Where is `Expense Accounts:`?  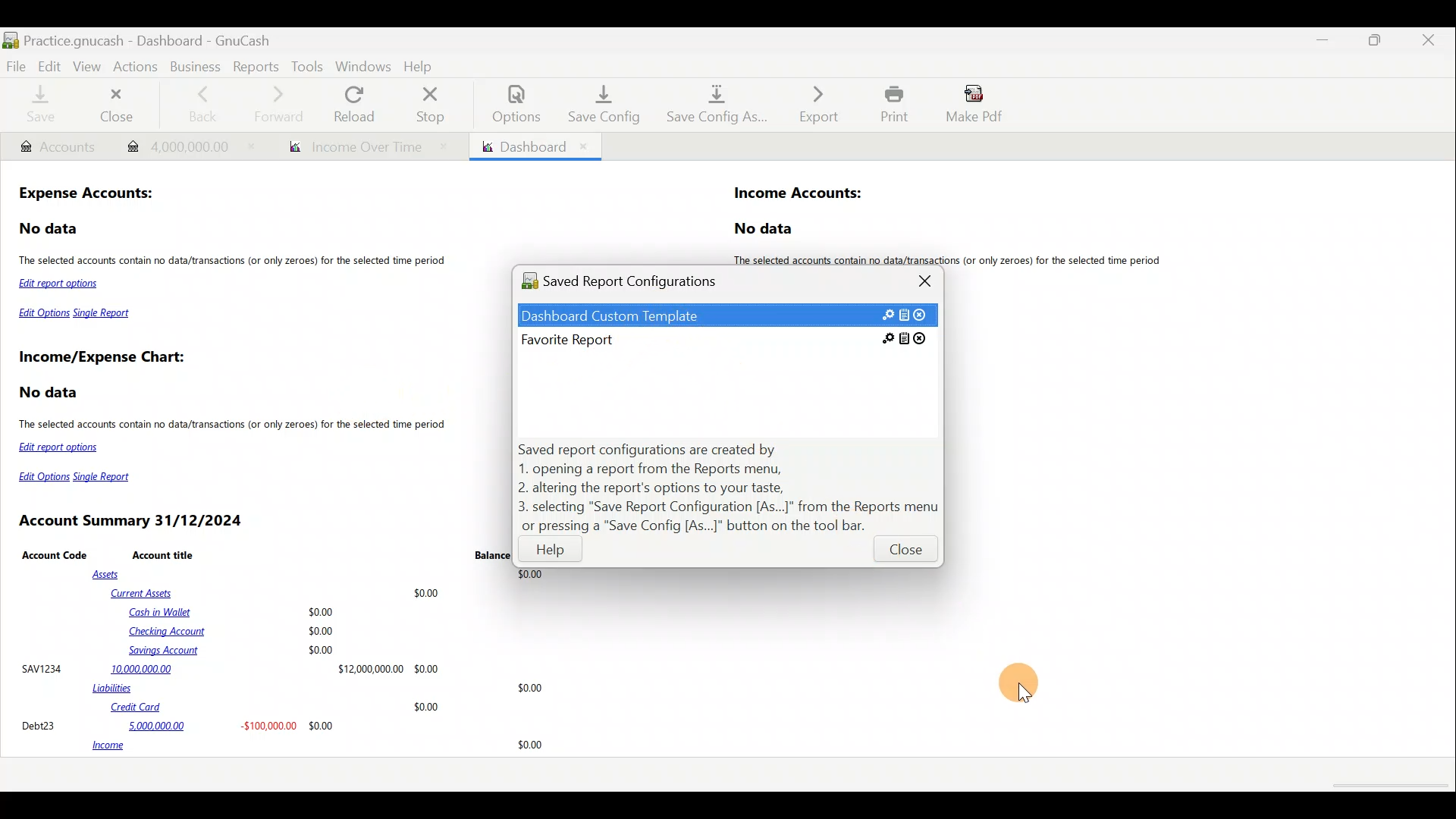
Expense Accounts: is located at coordinates (88, 195).